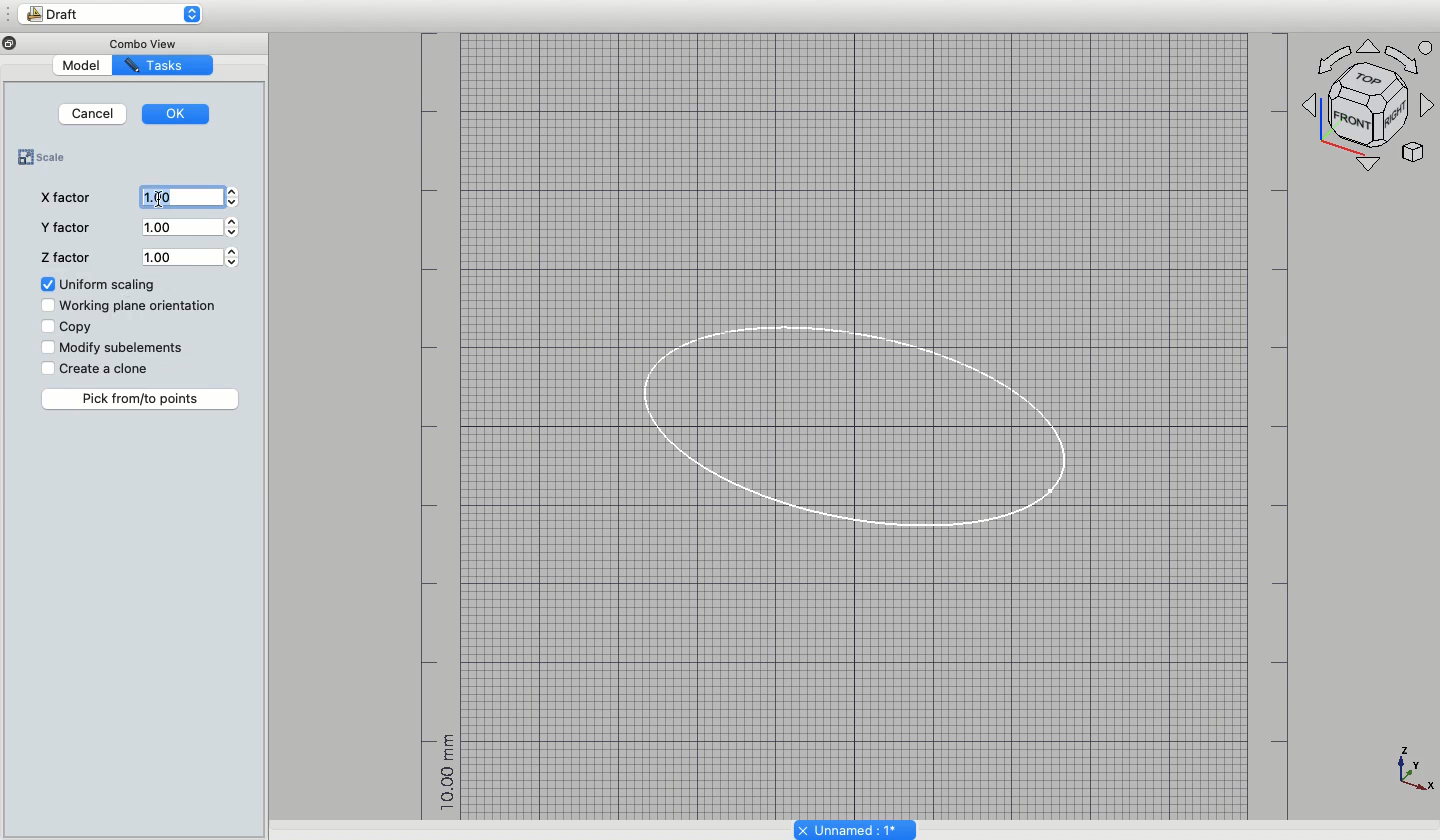  What do you see at coordinates (164, 65) in the screenshot?
I see `Tasks` at bounding box center [164, 65].